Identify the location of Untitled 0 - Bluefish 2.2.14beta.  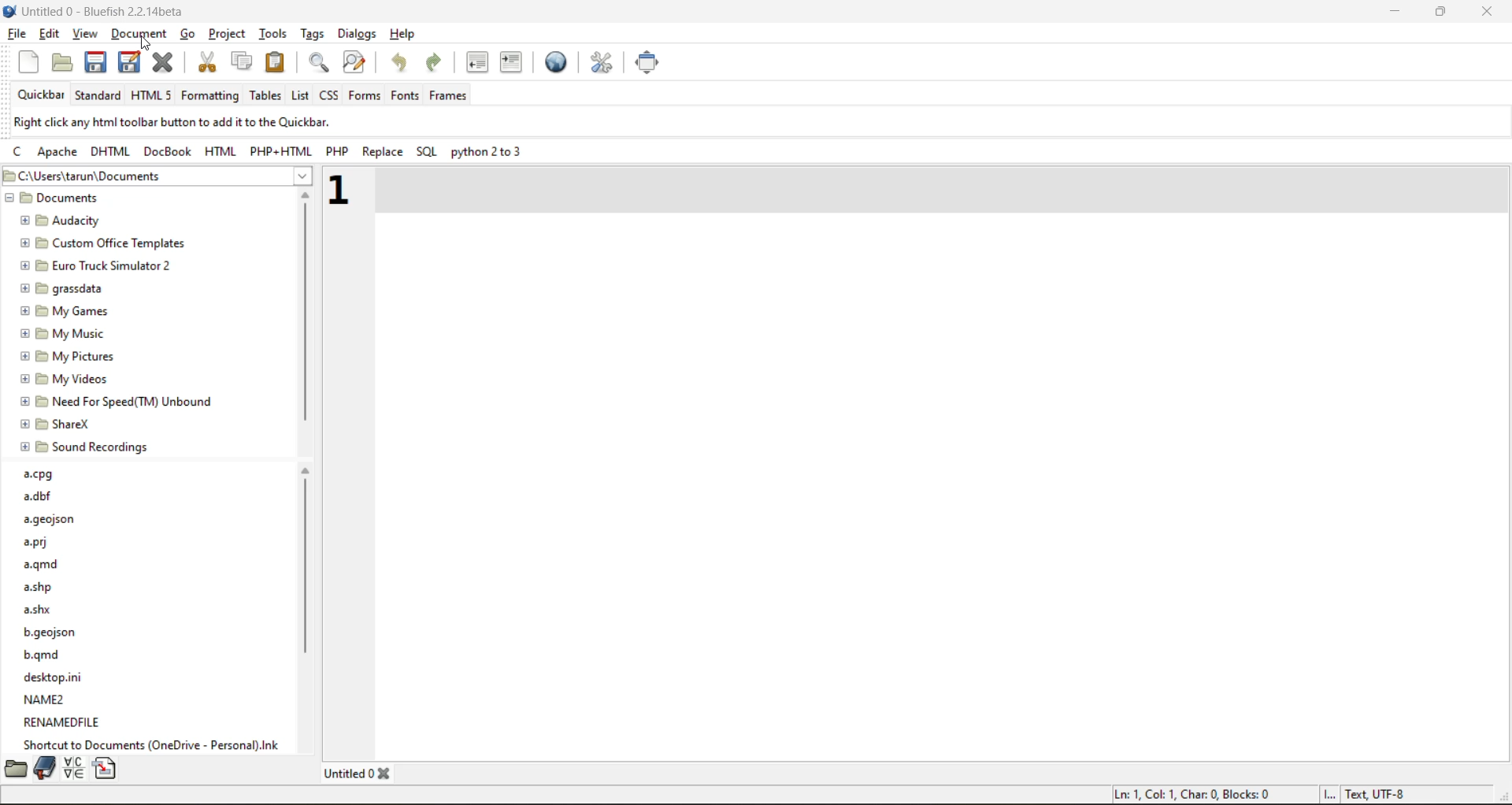
(98, 10).